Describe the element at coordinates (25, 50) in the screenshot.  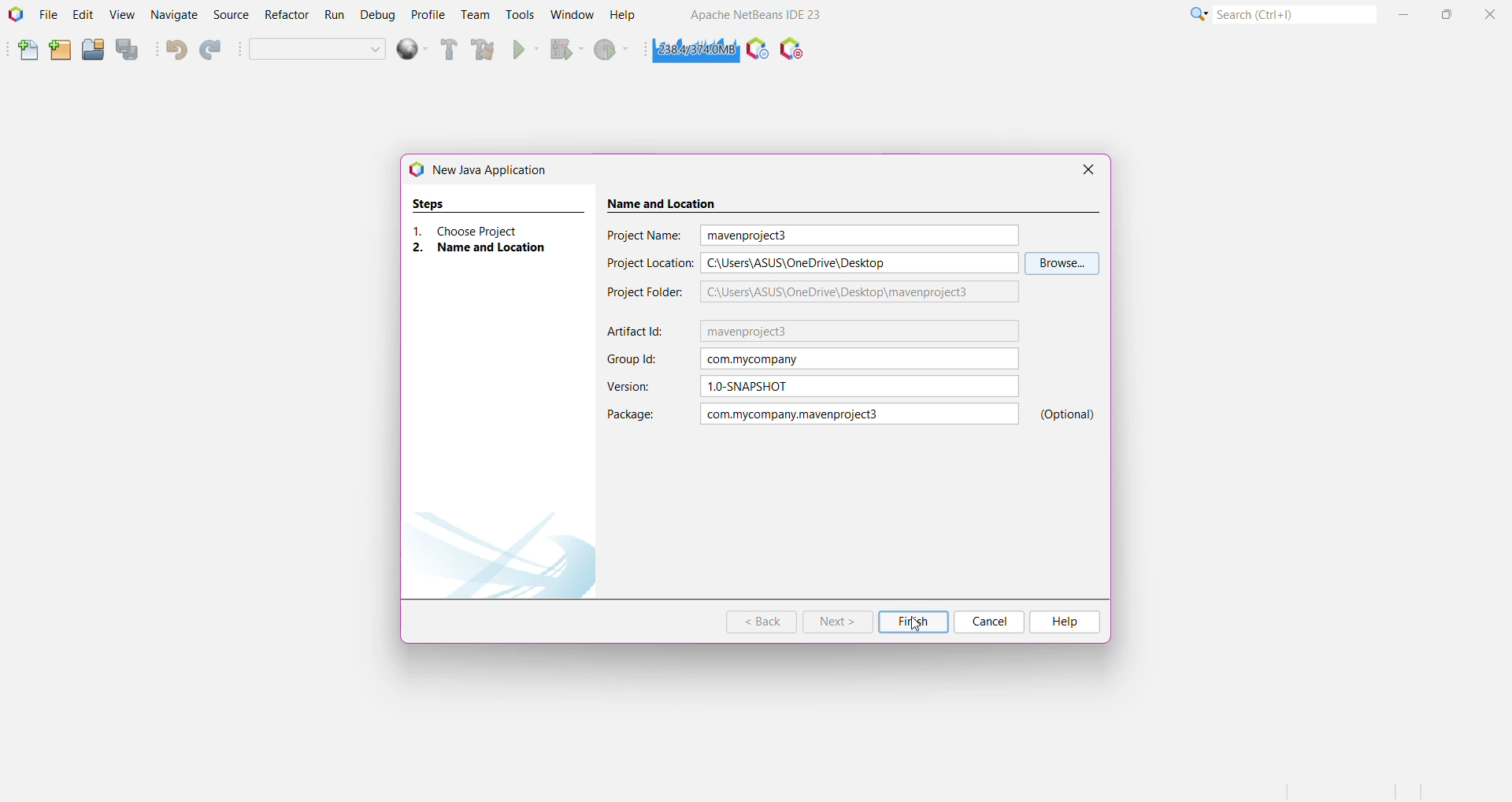
I see `New File` at that location.